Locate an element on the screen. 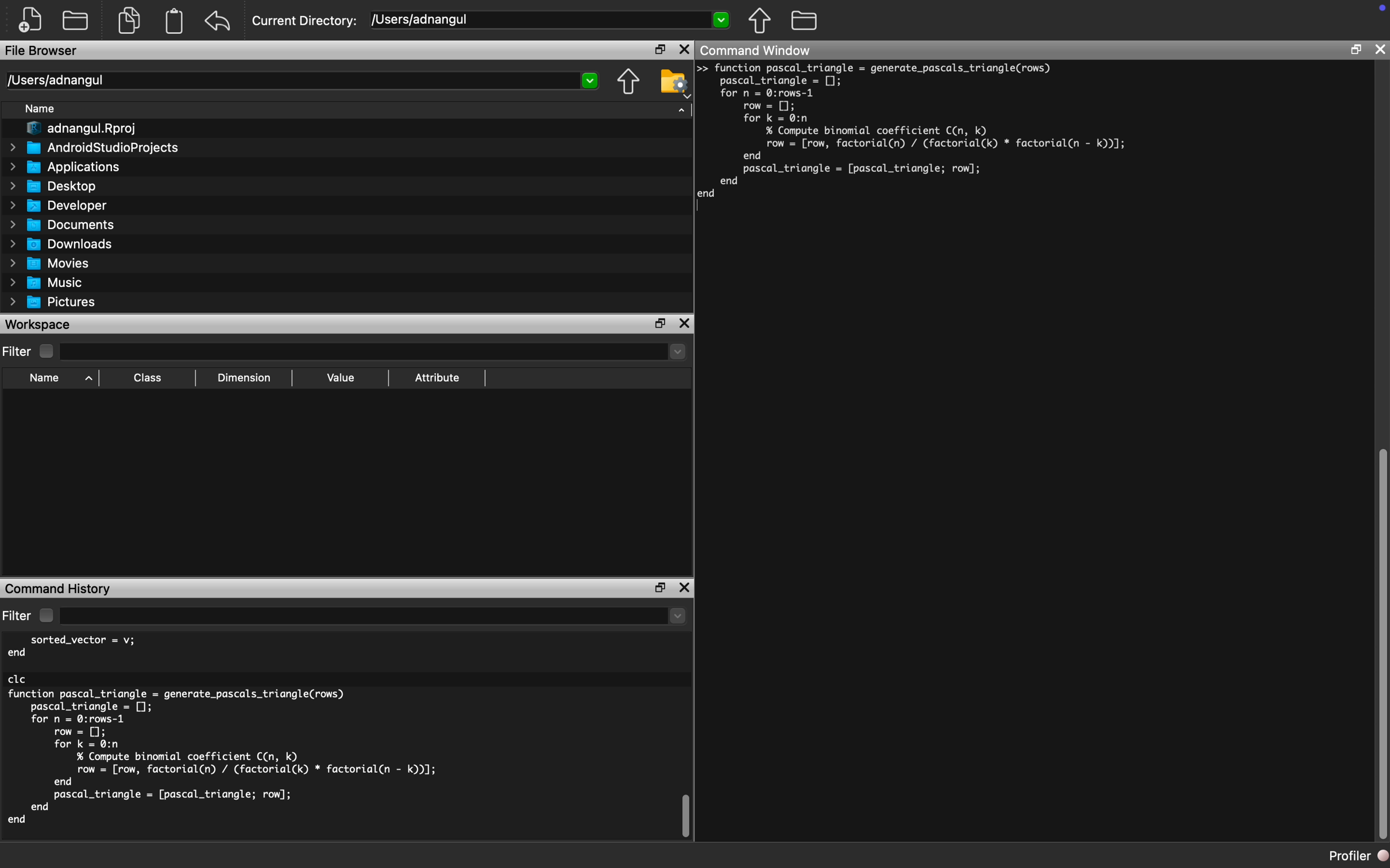  Close is located at coordinates (685, 324).